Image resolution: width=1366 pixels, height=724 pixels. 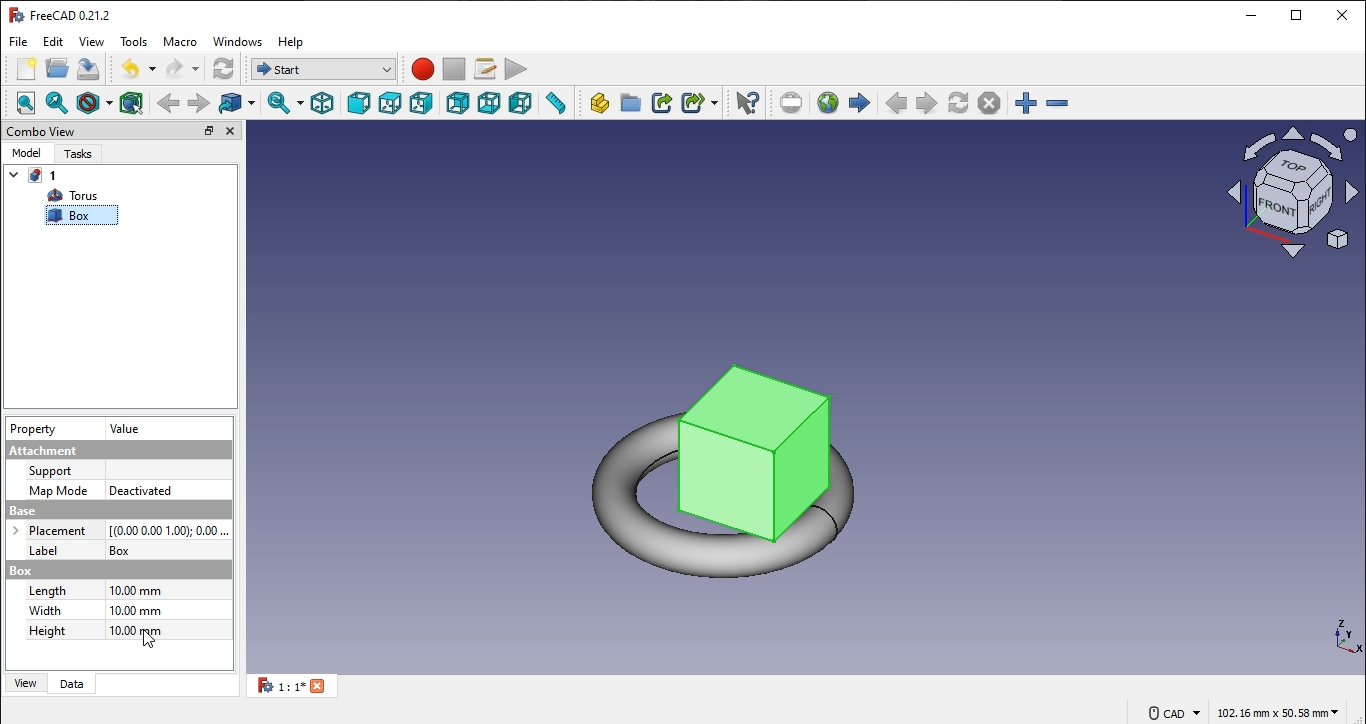 What do you see at coordinates (117, 550) in the screenshot?
I see `Label Box ` at bounding box center [117, 550].